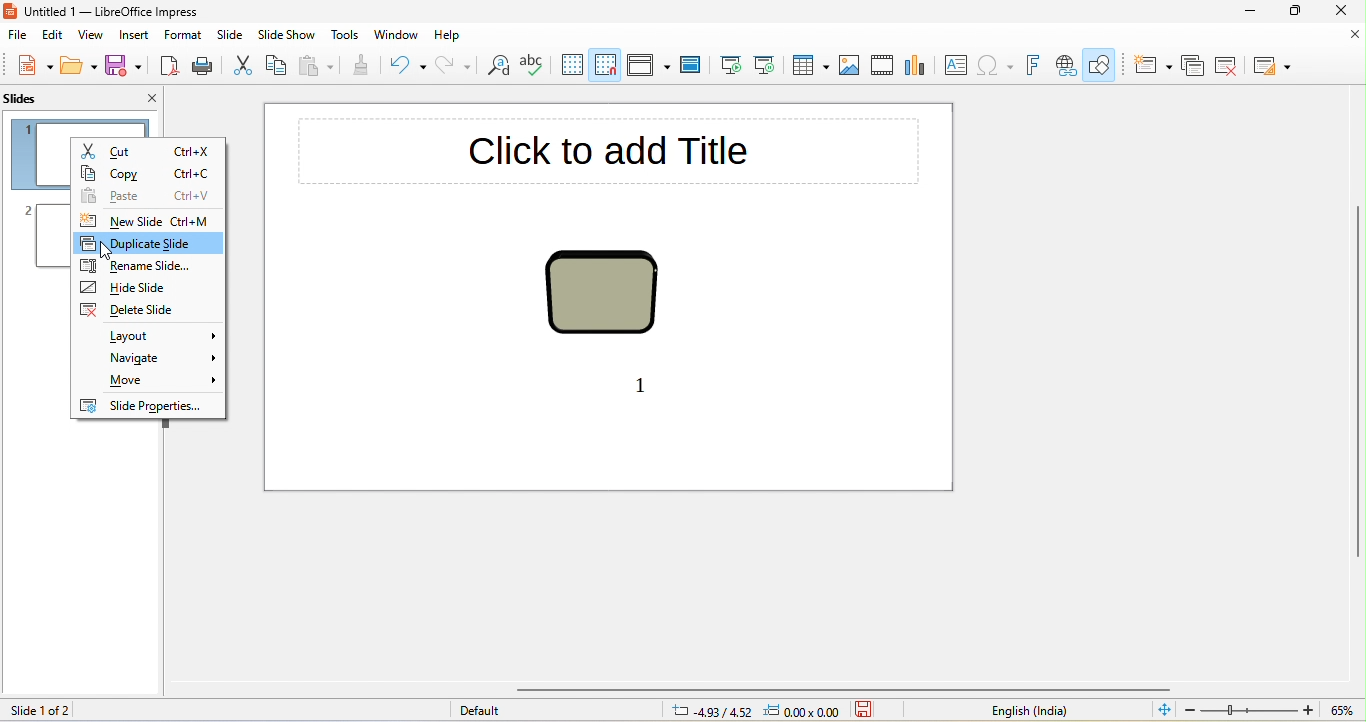  What do you see at coordinates (346, 35) in the screenshot?
I see `tools` at bounding box center [346, 35].